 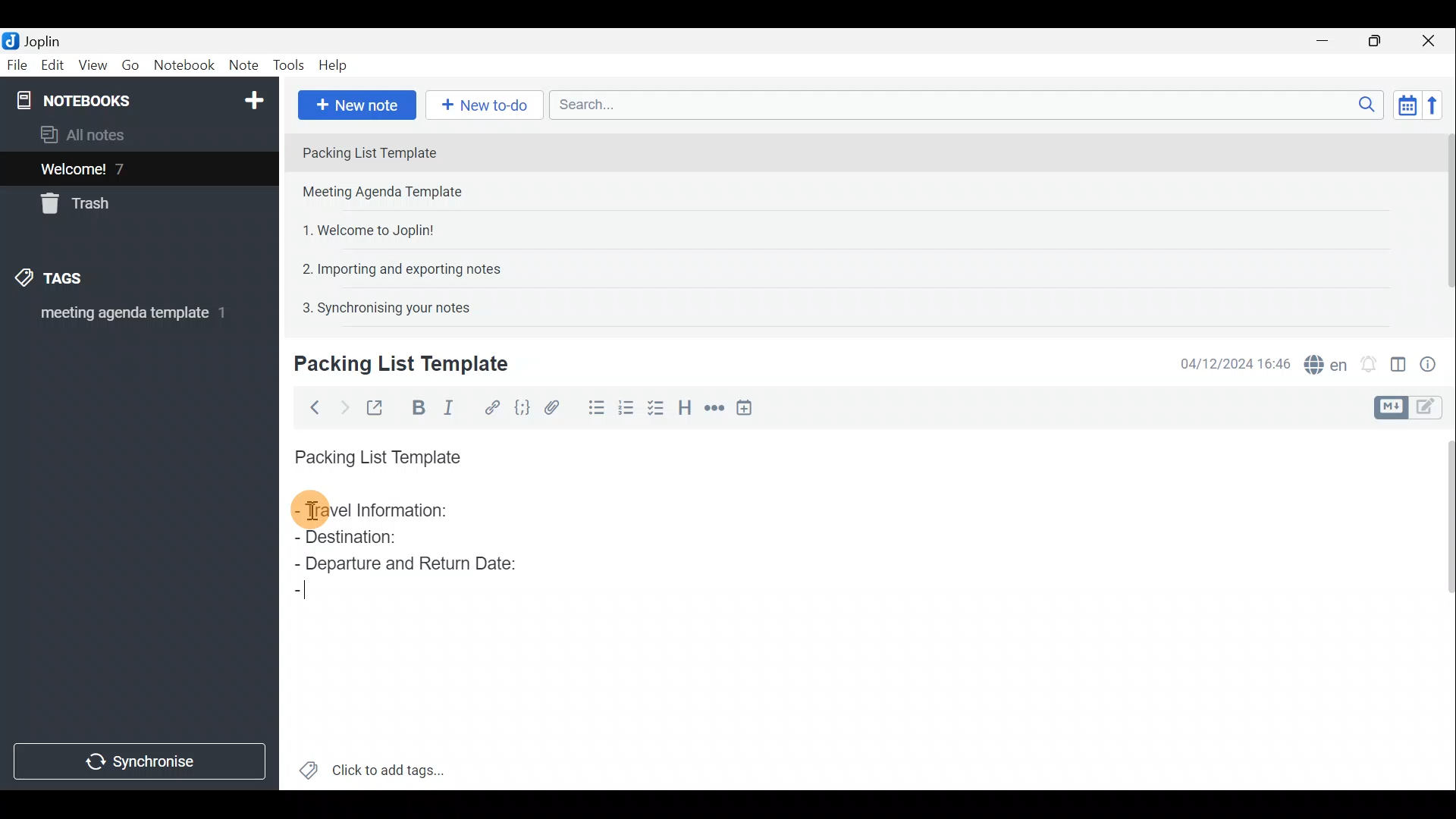 What do you see at coordinates (94, 65) in the screenshot?
I see `View` at bounding box center [94, 65].